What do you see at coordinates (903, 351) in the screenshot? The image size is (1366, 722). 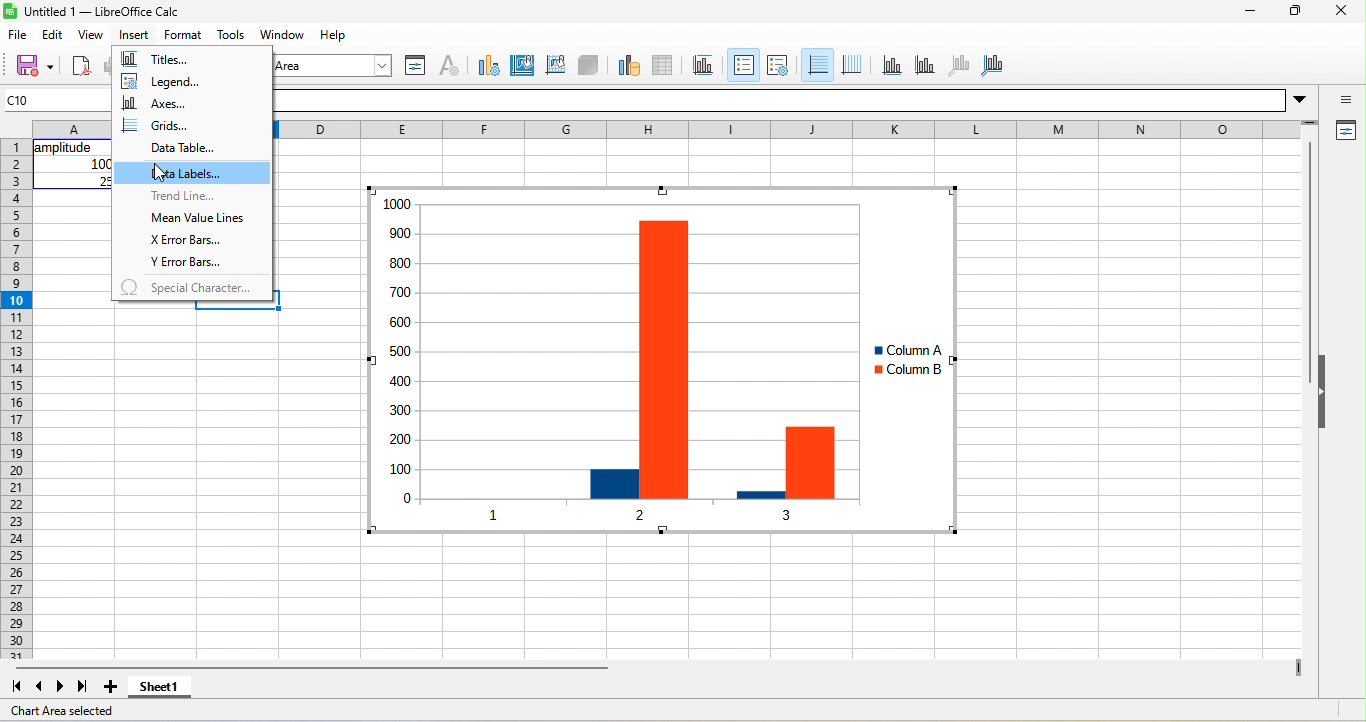 I see `column a` at bounding box center [903, 351].